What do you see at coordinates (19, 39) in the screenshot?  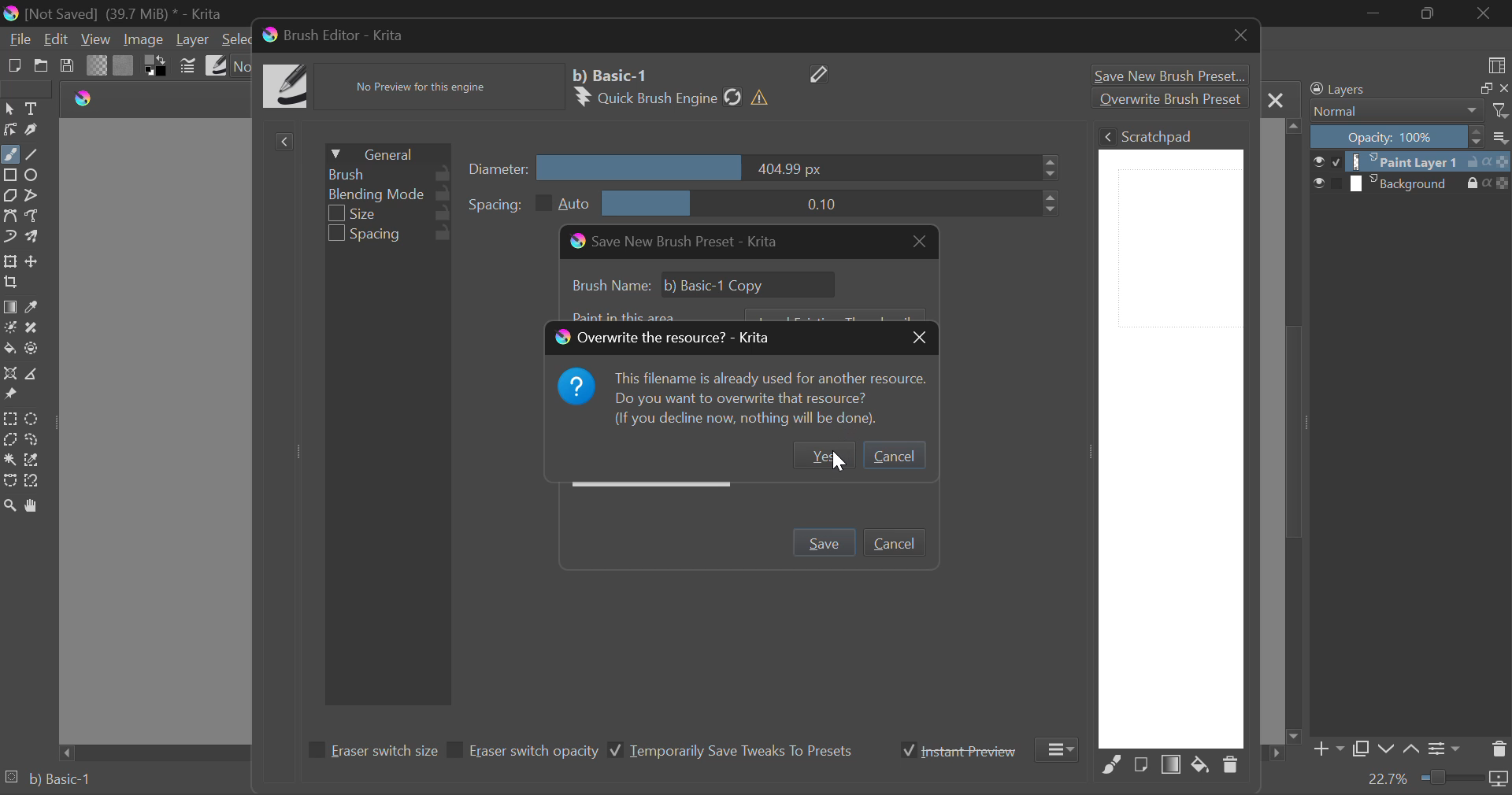 I see `File` at bounding box center [19, 39].